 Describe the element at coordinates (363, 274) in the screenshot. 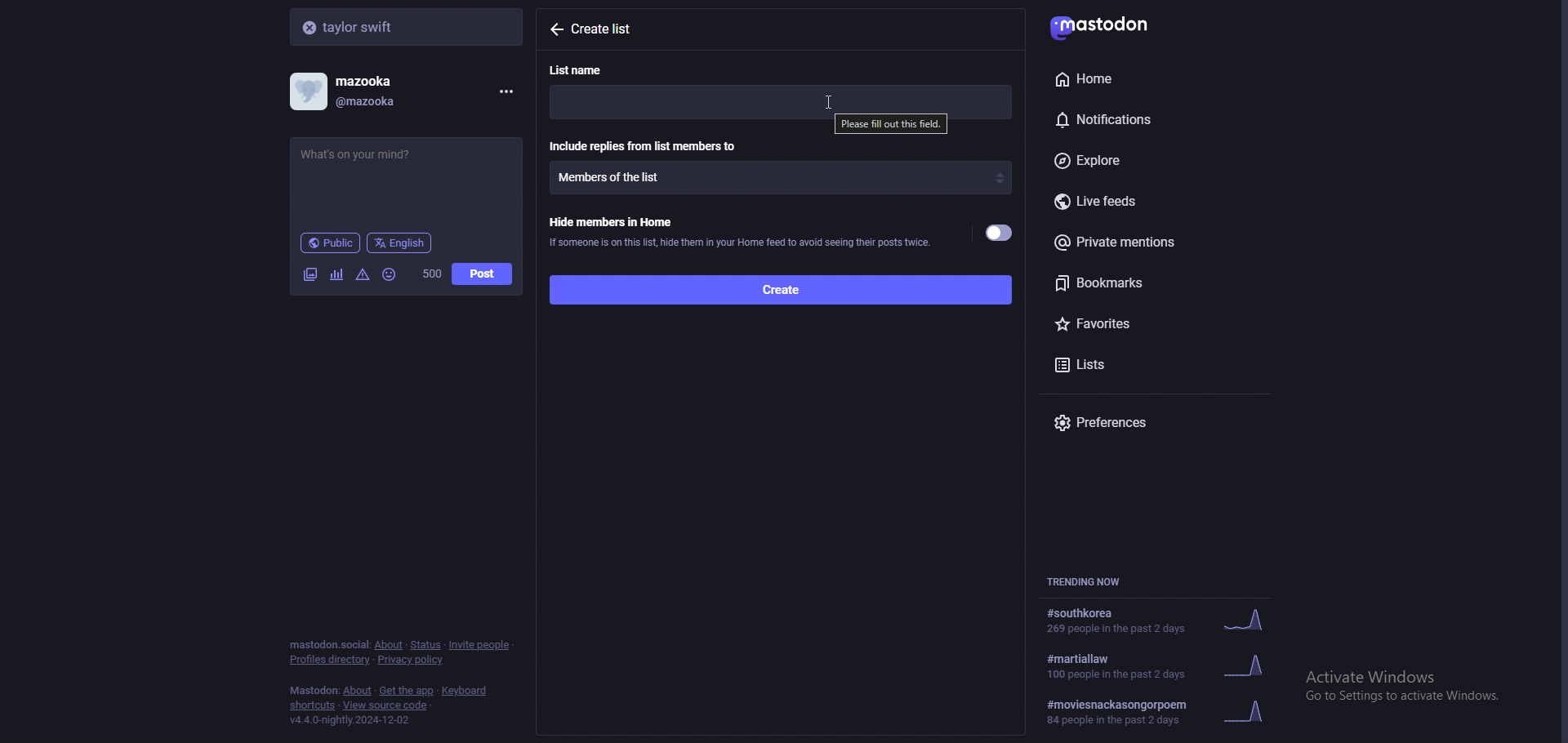

I see `warning` at that location.